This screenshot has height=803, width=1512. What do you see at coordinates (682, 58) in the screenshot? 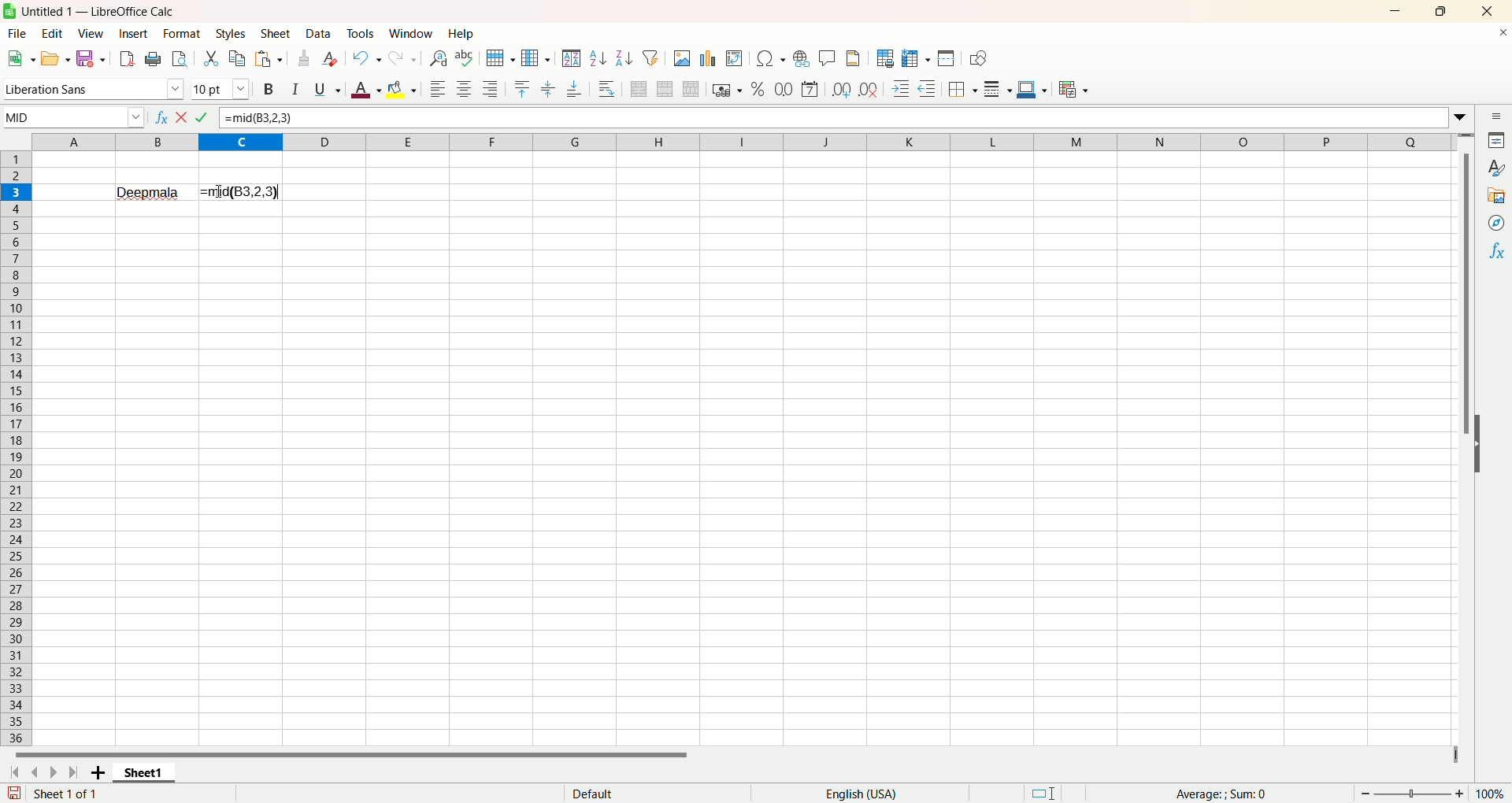
I see `Insert image` at bounding box center [682, 58].